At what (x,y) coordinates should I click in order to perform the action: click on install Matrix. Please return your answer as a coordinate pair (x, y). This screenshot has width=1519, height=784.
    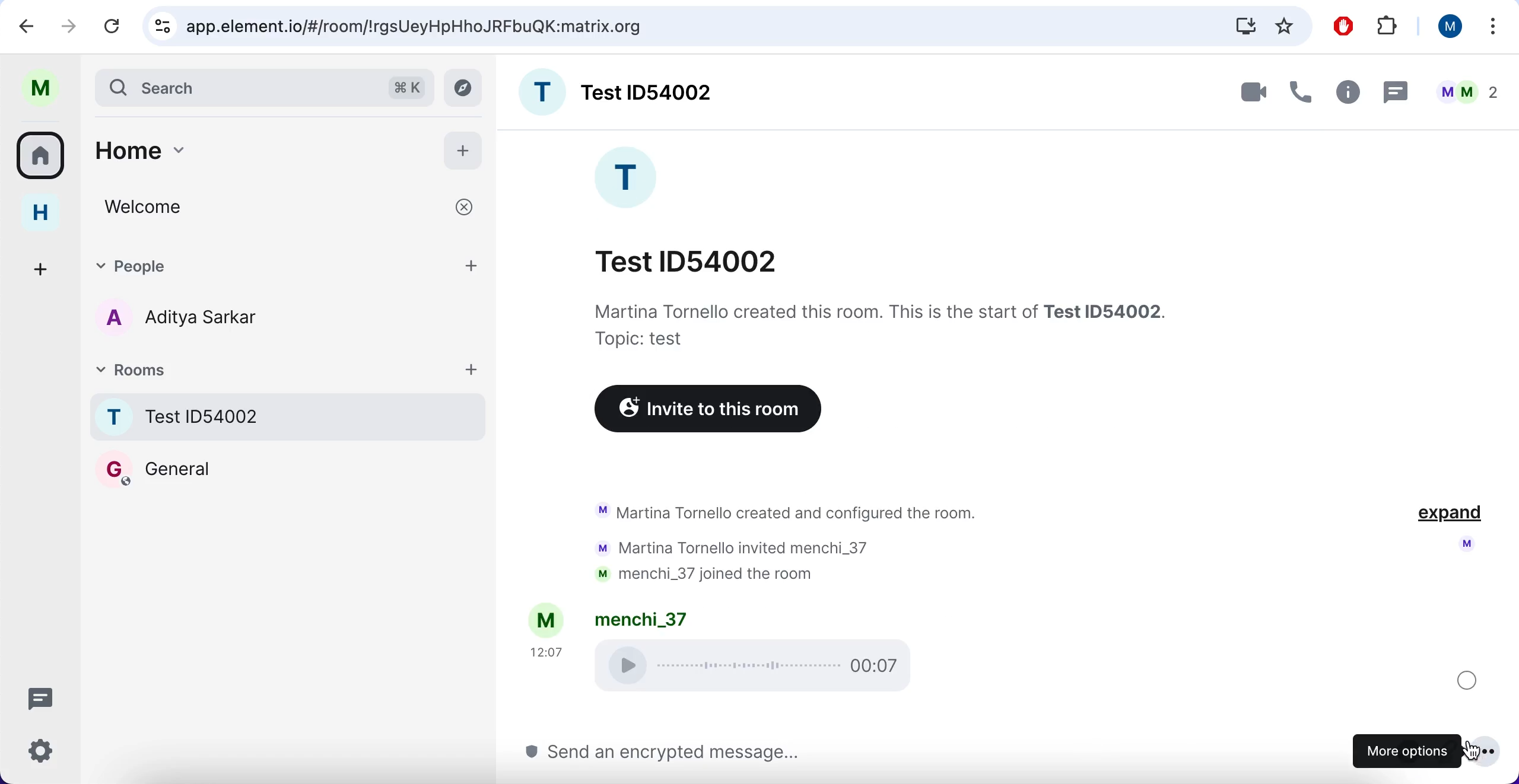
    Looking at the image, I should click on (1245, 26).